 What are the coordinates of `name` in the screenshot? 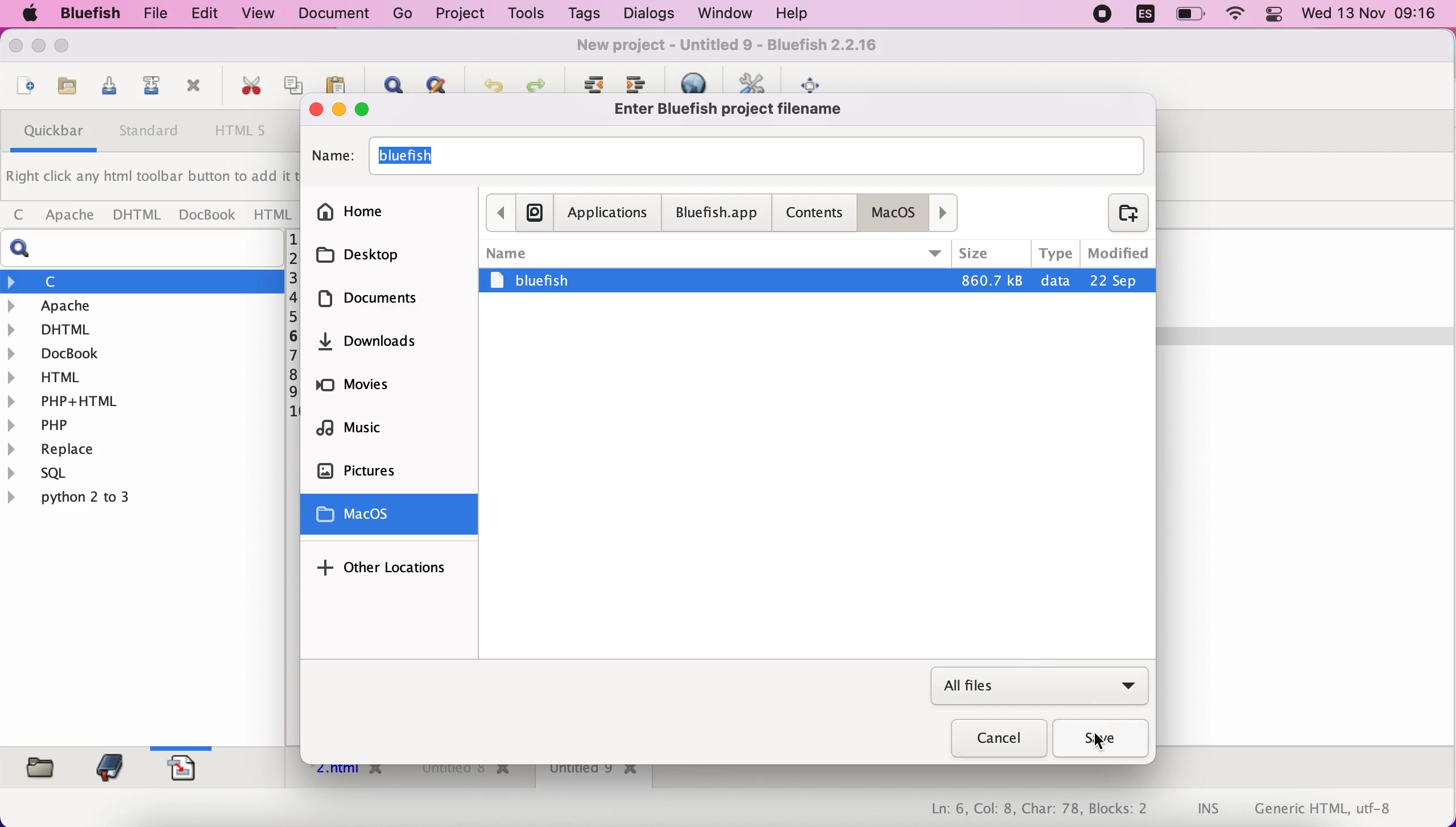 It's located at (715, 251).